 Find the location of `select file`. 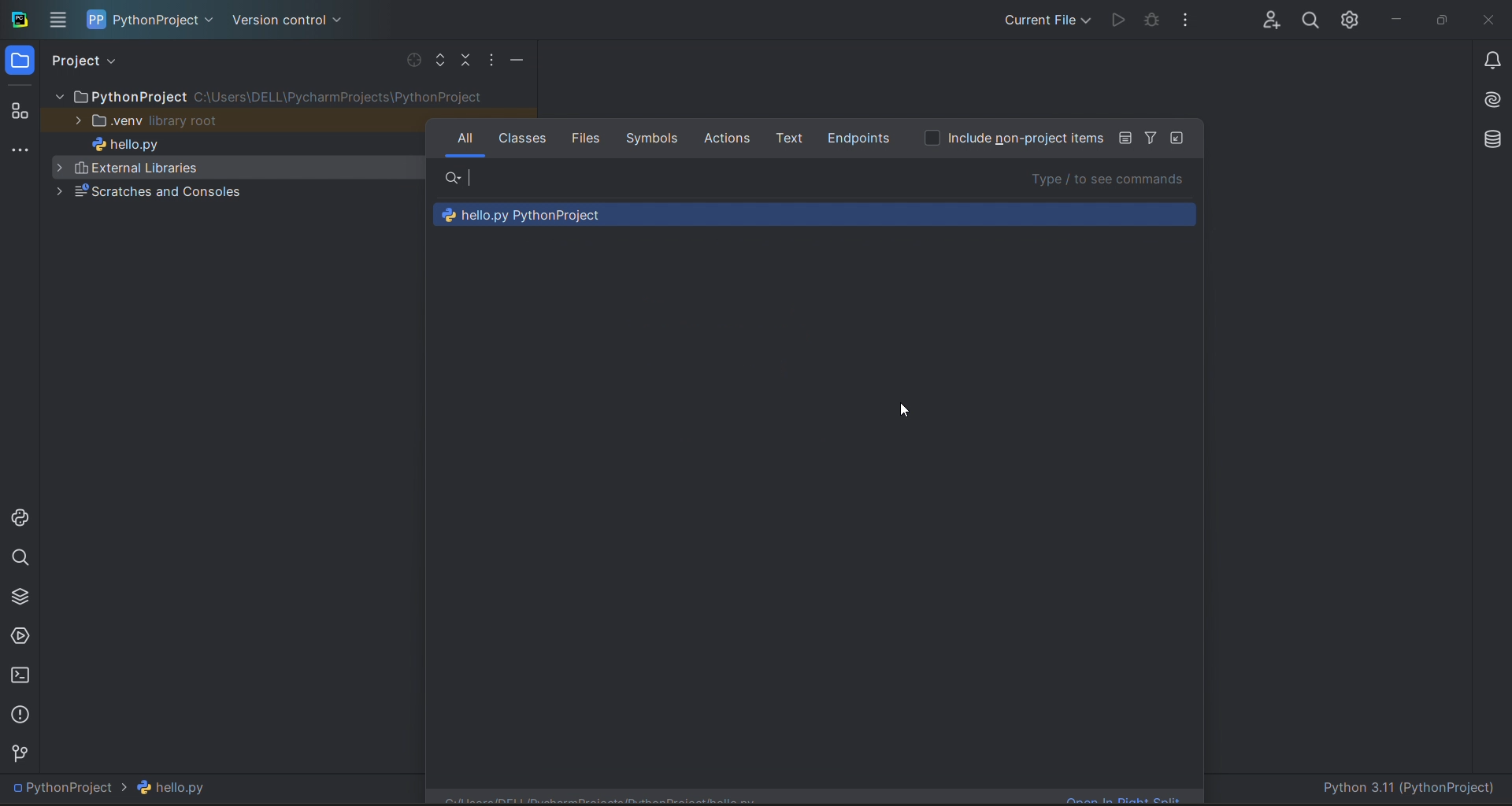

select file is located at coordinates (414, 59).